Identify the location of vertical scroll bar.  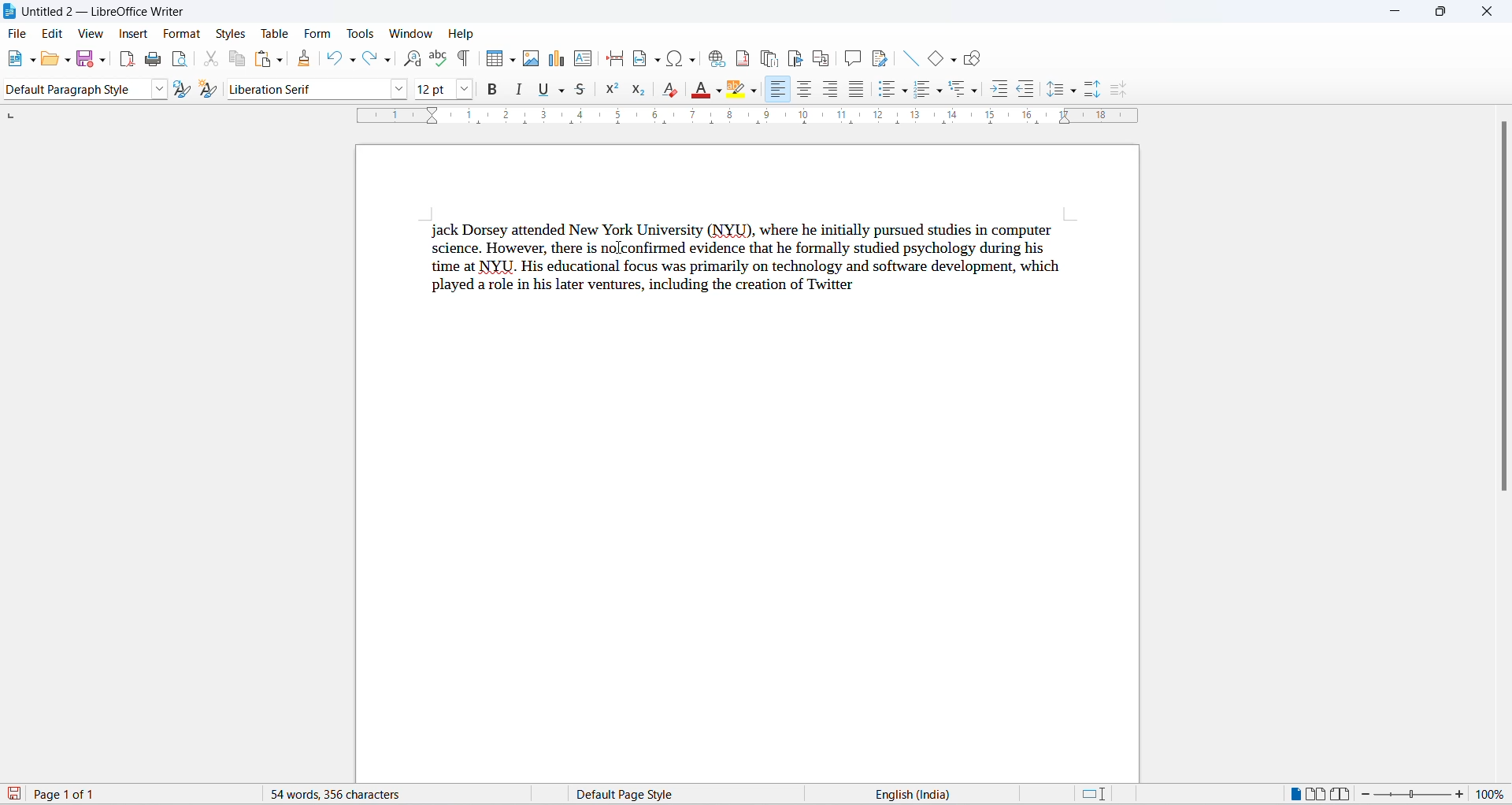
(1504, 317).